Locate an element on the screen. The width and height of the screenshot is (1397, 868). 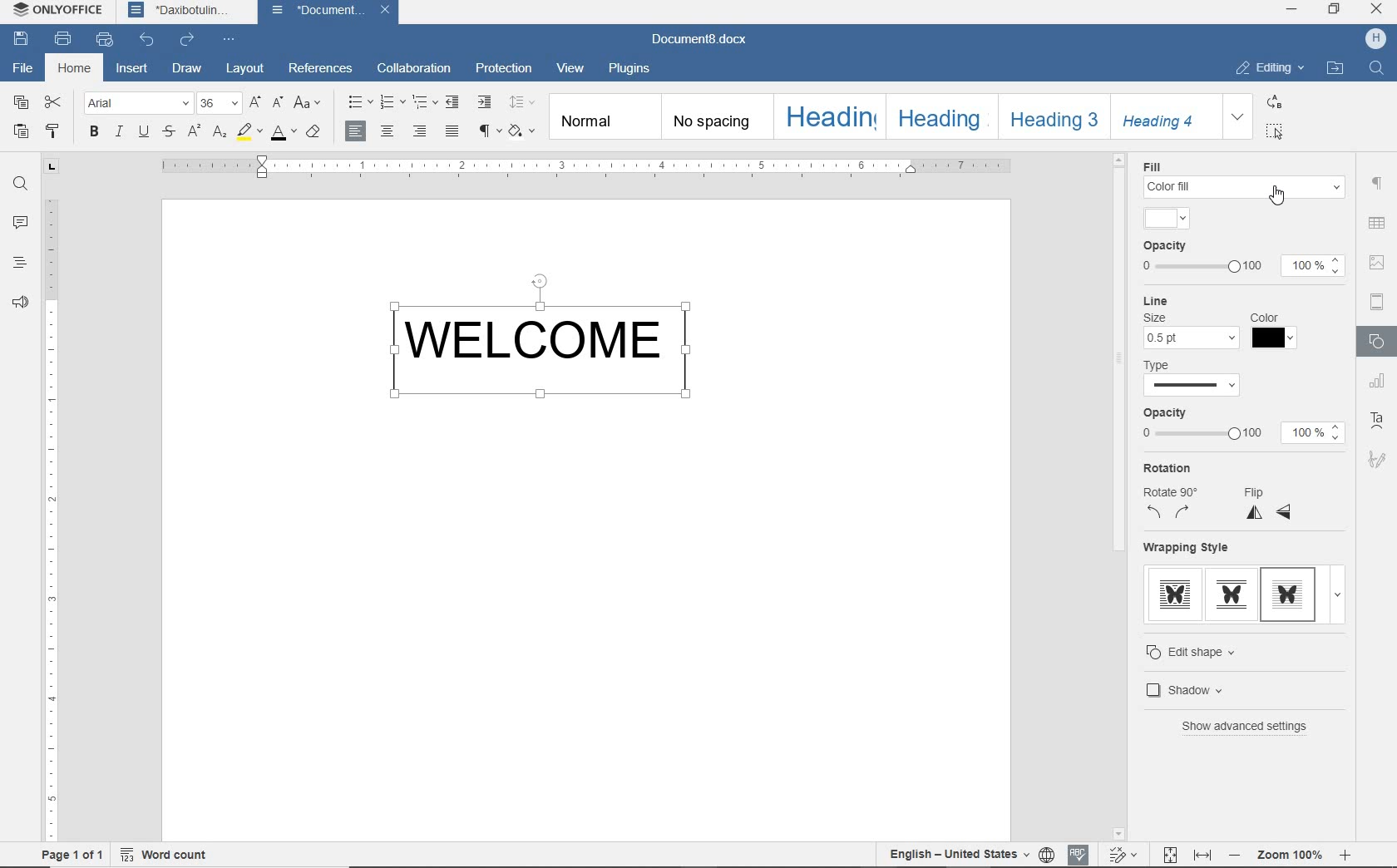
COLLABORATION is located at coordinates (413, 68).